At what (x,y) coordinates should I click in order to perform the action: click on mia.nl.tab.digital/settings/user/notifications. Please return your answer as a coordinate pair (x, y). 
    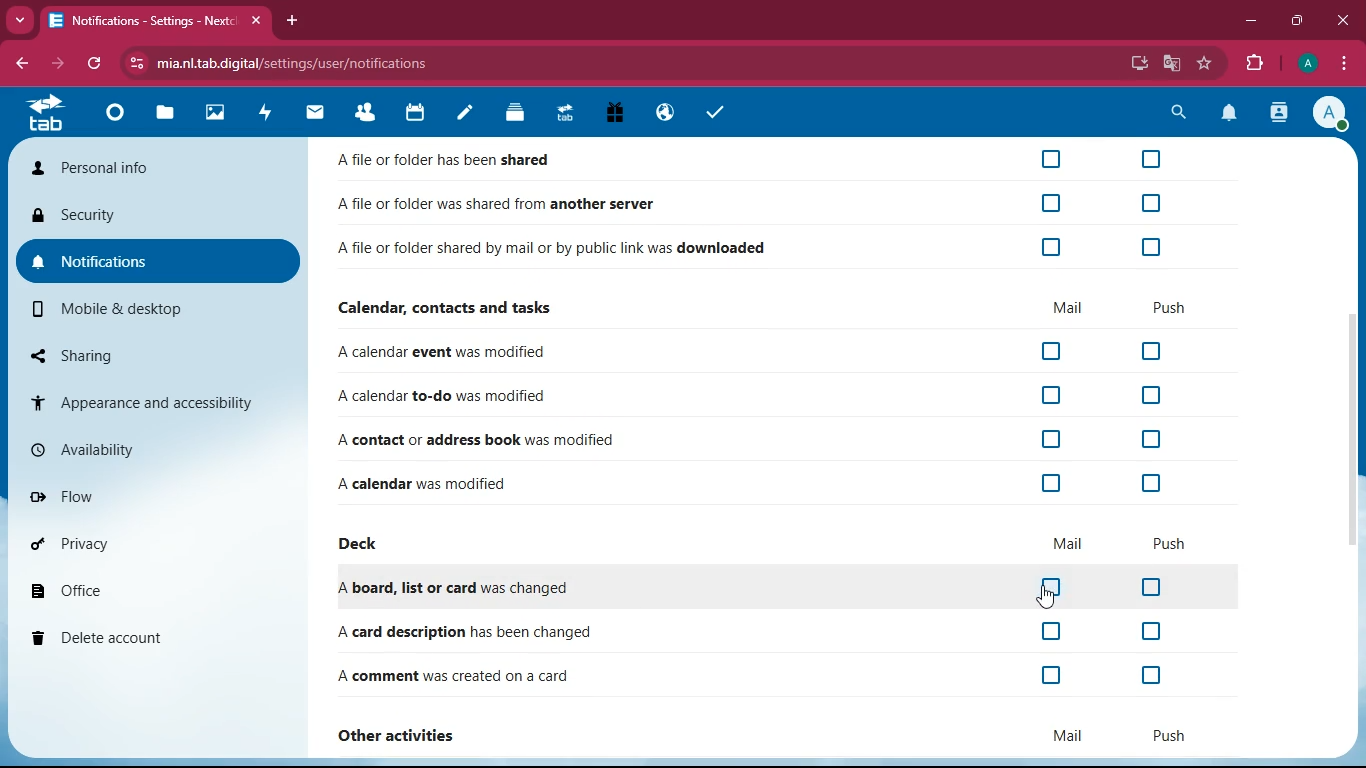
    Looking at the image, I should click on (304, 63).